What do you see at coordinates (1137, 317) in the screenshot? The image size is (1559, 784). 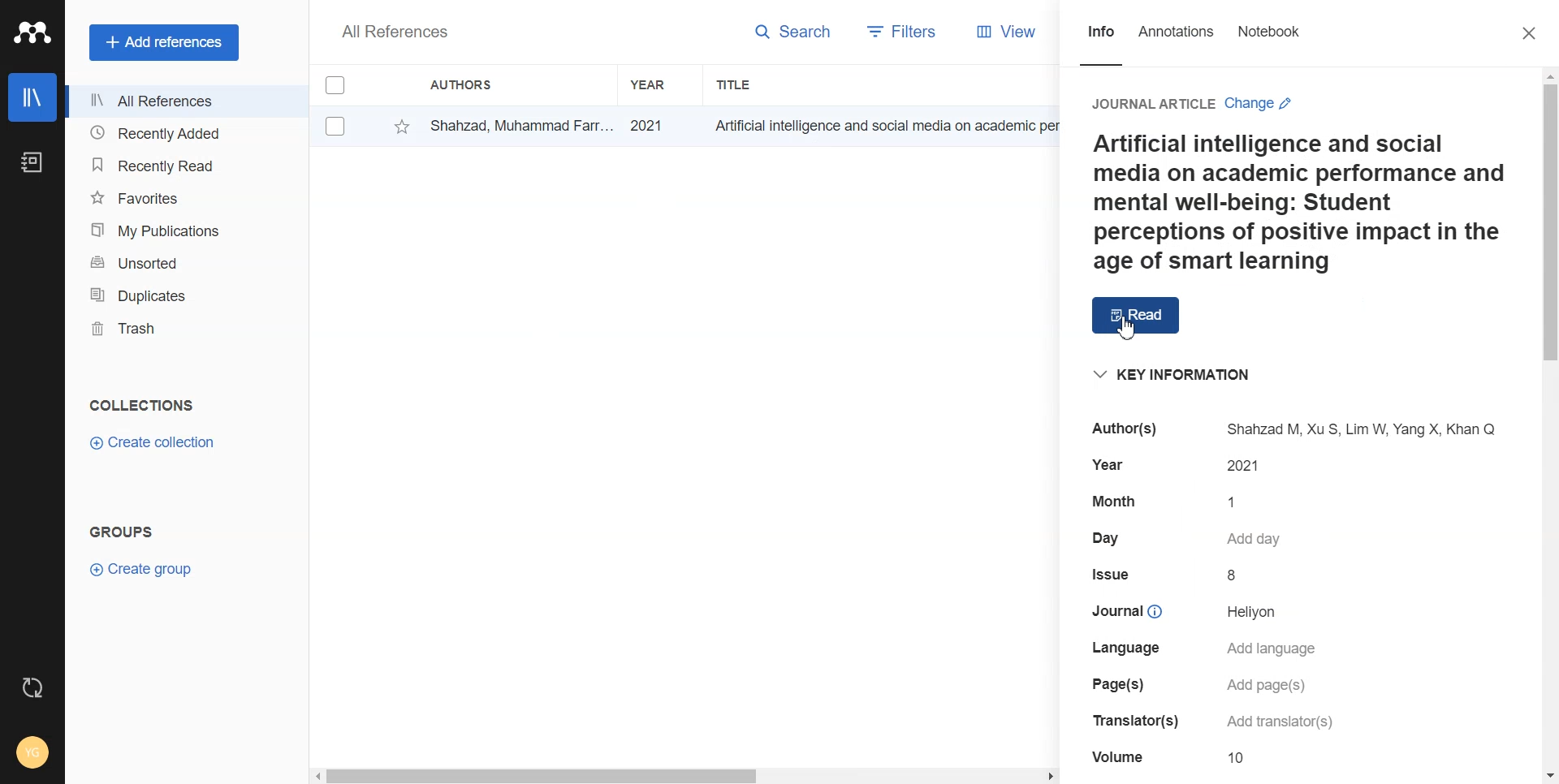 I see `Read` at bounding box center [1137, 317].